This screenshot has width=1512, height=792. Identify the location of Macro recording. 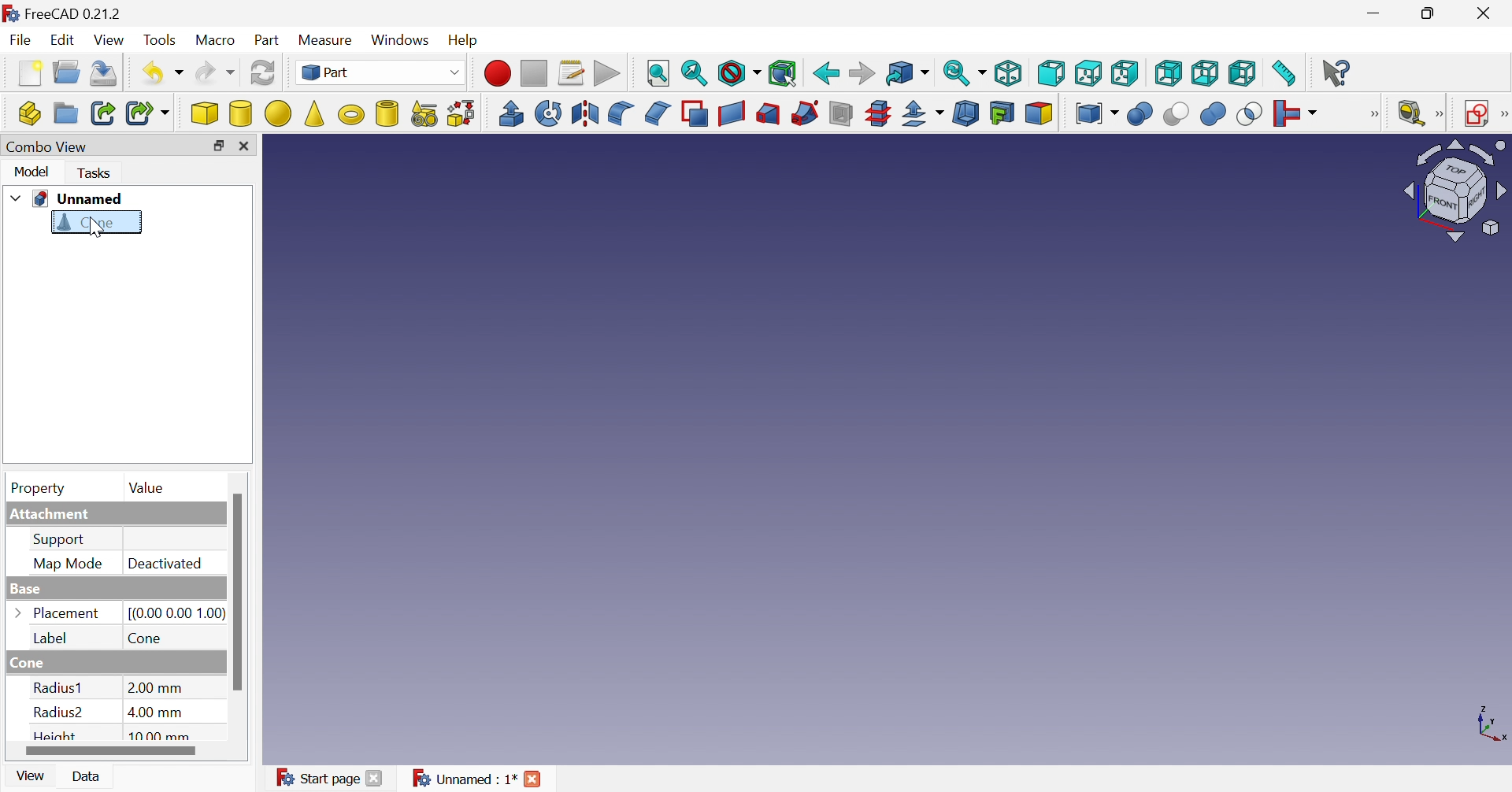
(498, 73).